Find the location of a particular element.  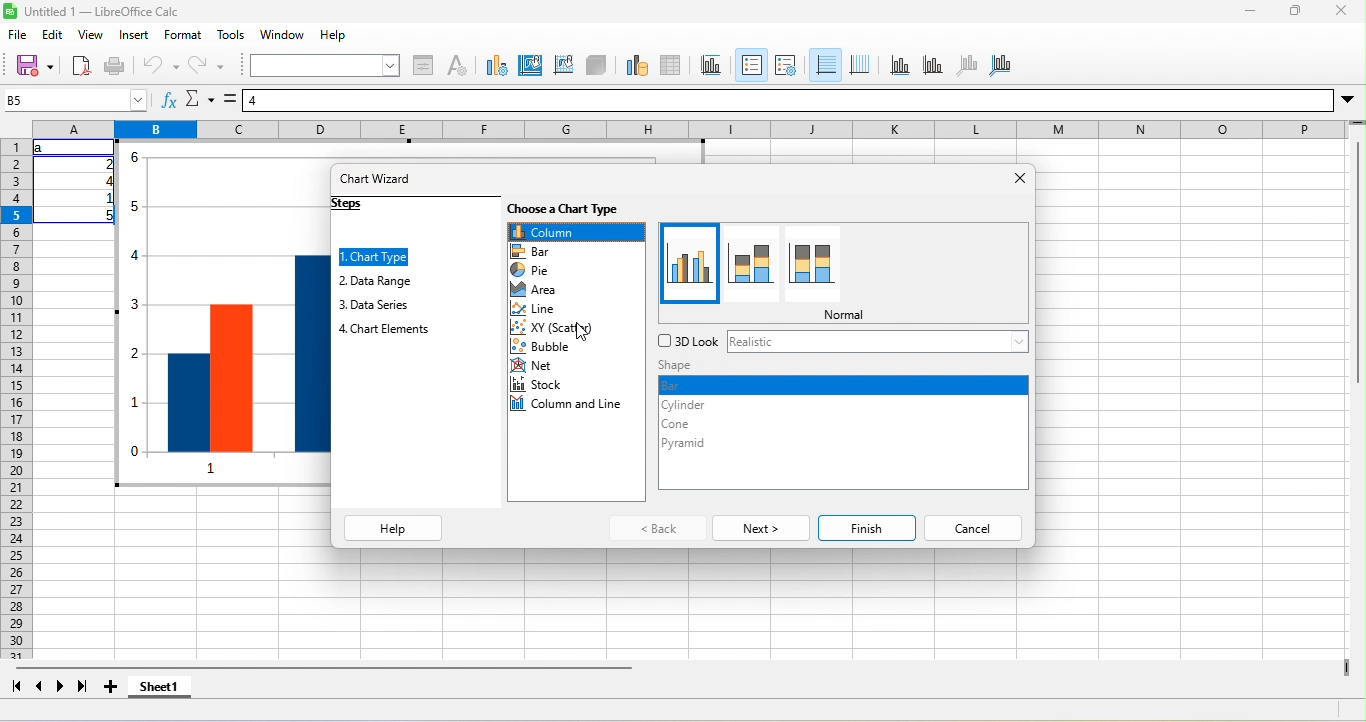

bar is located at coordinates (844, 385).